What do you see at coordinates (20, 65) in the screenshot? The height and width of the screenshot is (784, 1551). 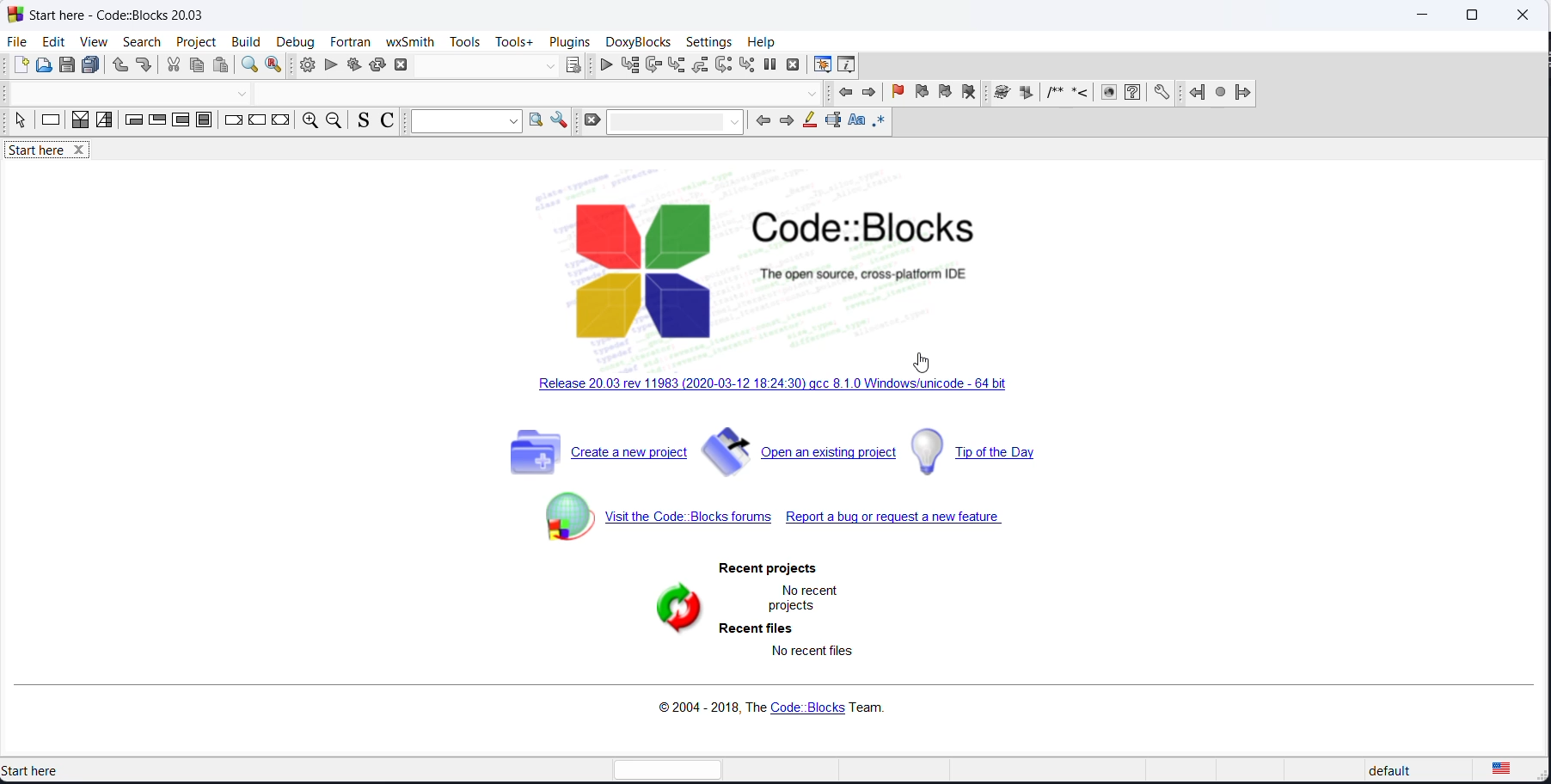 I see `new file` at bounding box center [20, 65].